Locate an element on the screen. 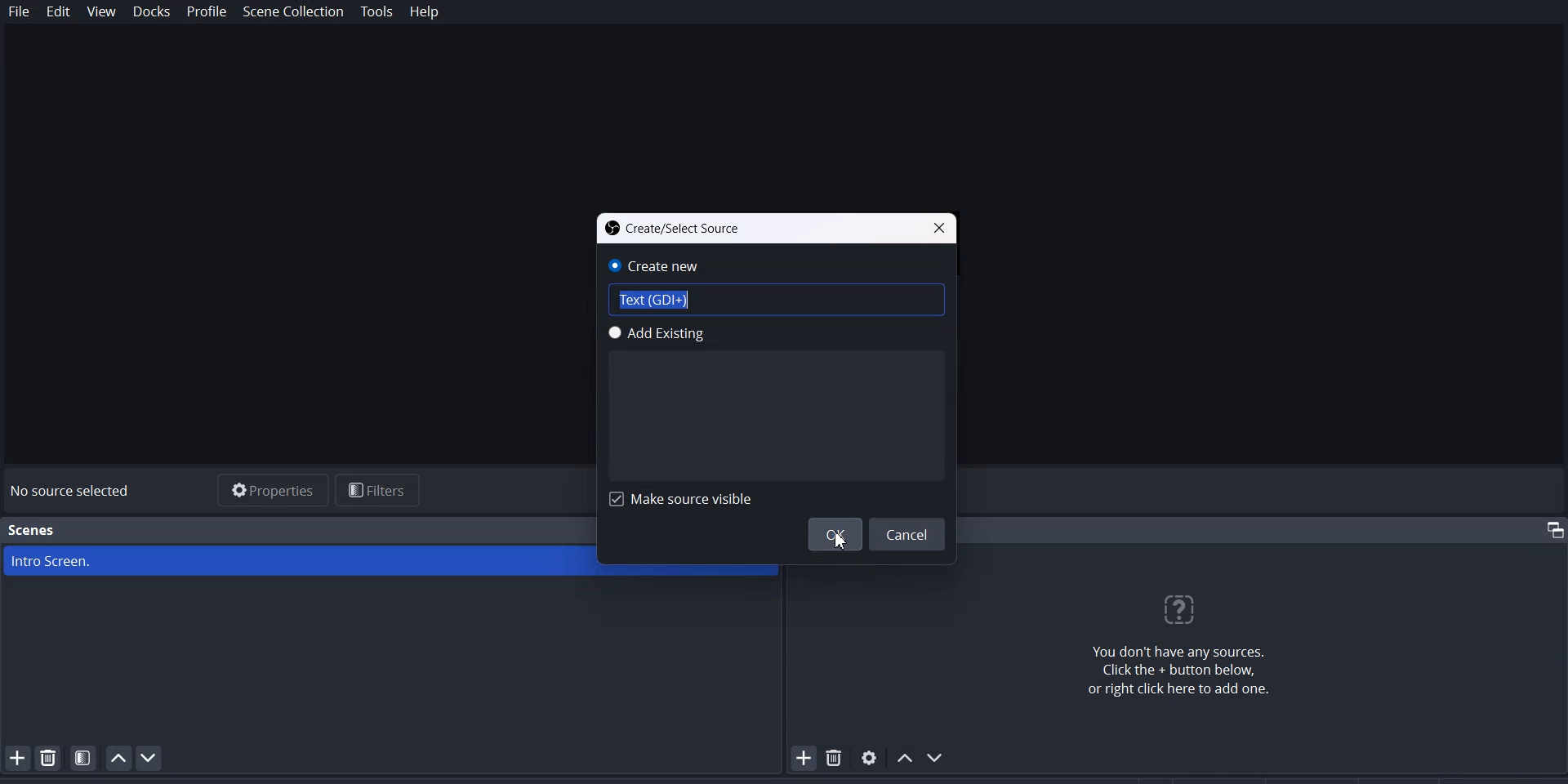 The height and width of the screenshot is (784, 1568). Remove selected Source is located at coordinates (836, 757).